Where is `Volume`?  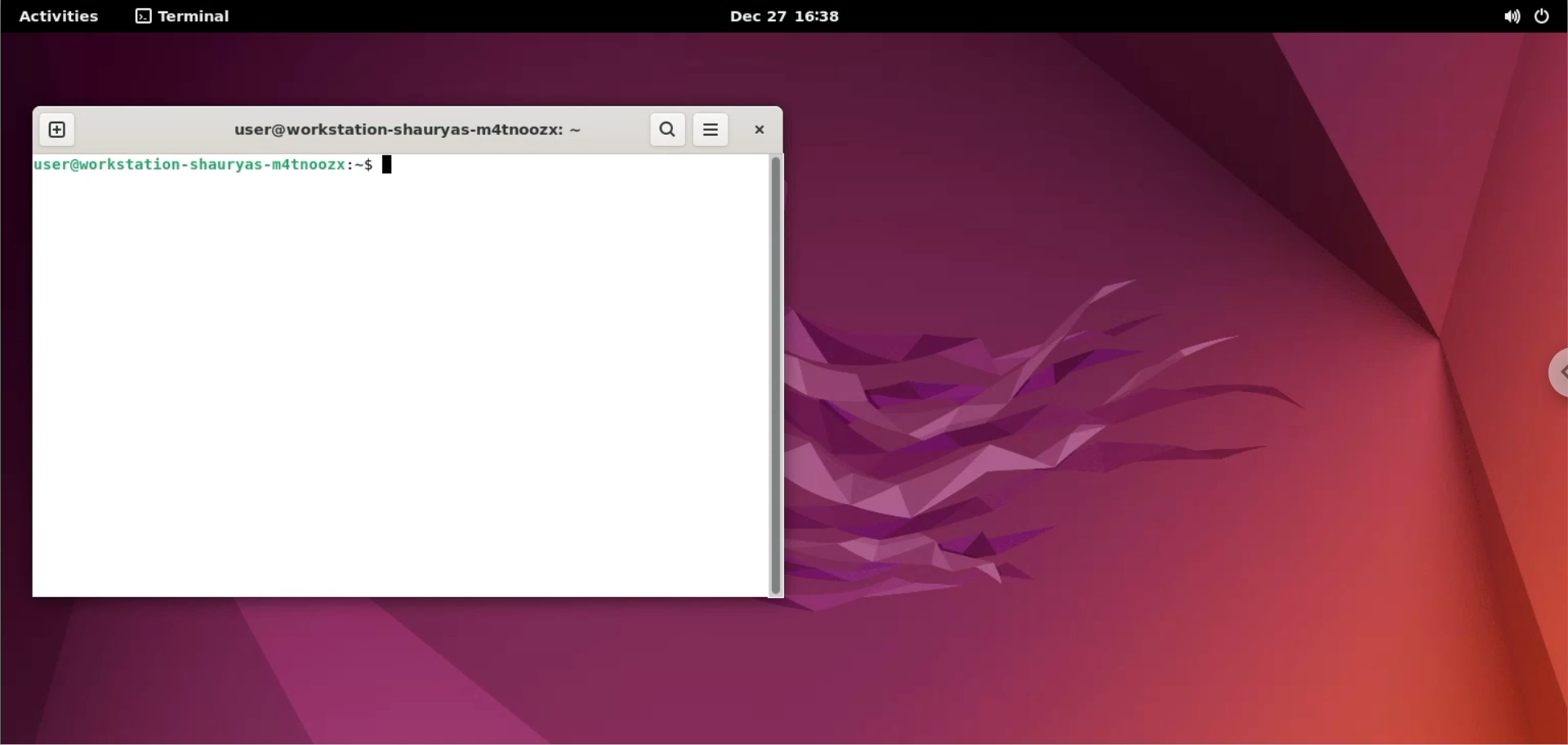
Volume is located at coordinates (1502, 18).